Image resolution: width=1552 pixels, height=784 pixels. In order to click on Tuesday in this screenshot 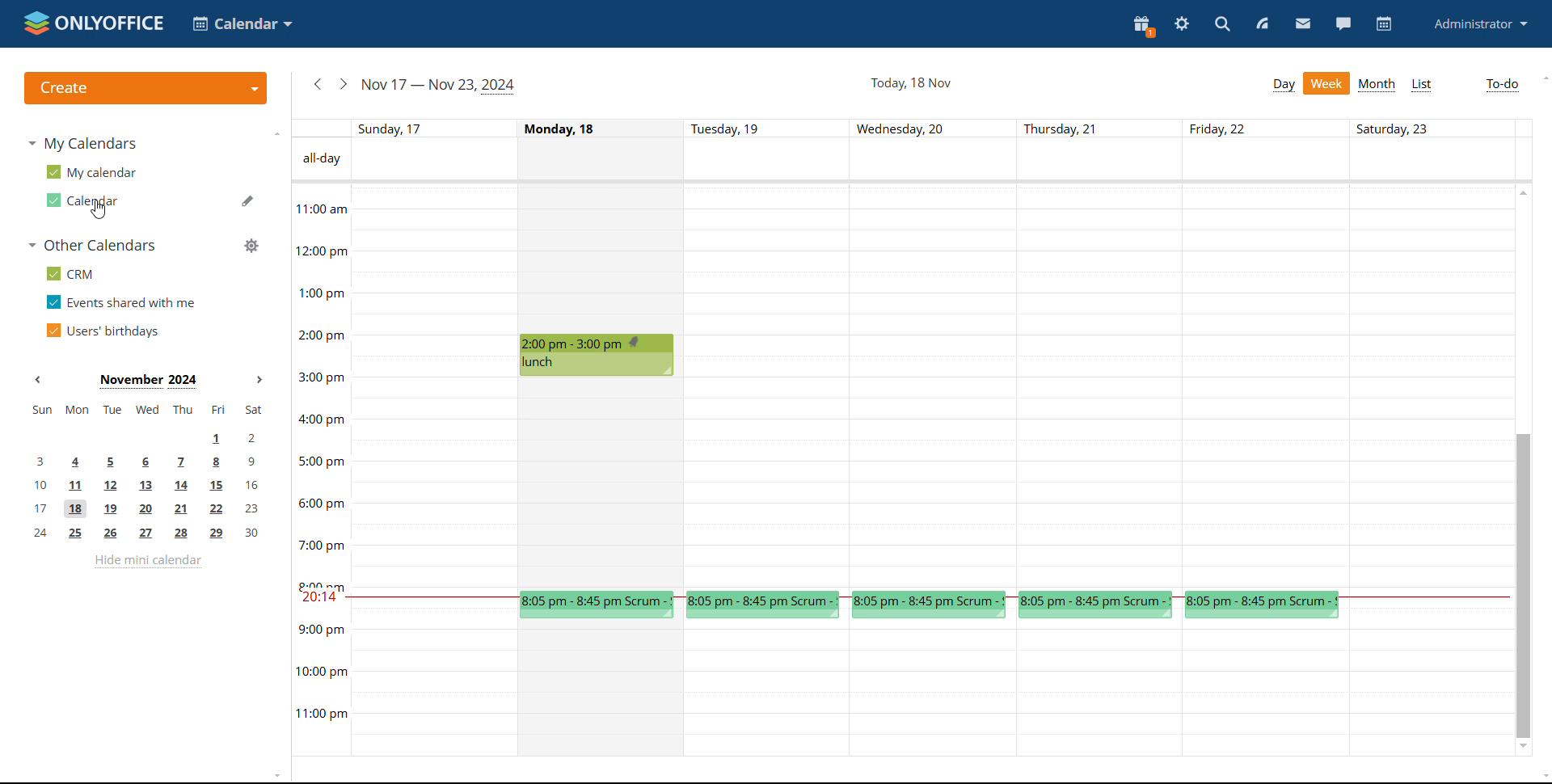, I will do `click(770, 386)`.